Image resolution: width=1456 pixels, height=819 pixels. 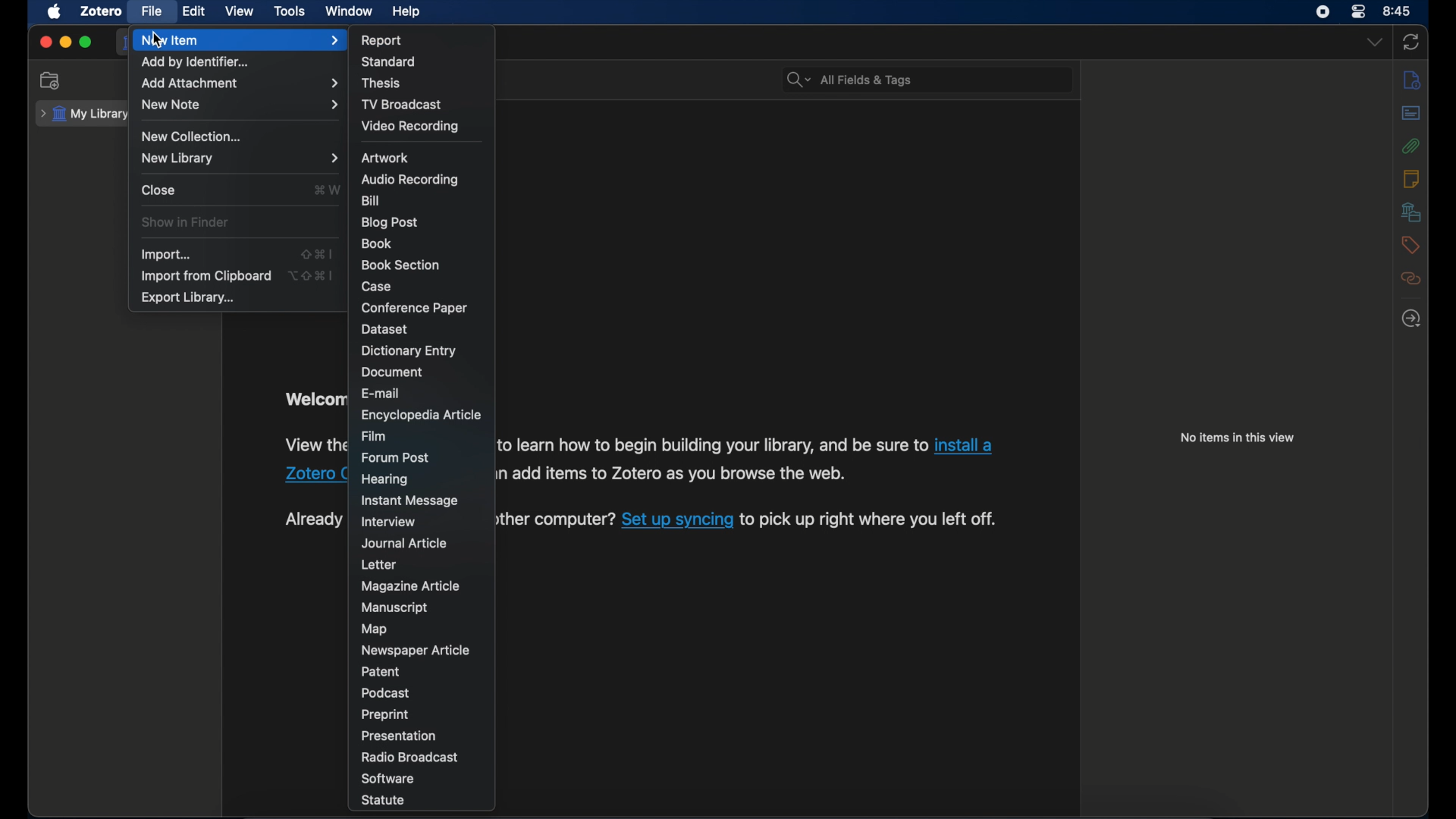 I want to click on related, so click(x=1410, y=279).